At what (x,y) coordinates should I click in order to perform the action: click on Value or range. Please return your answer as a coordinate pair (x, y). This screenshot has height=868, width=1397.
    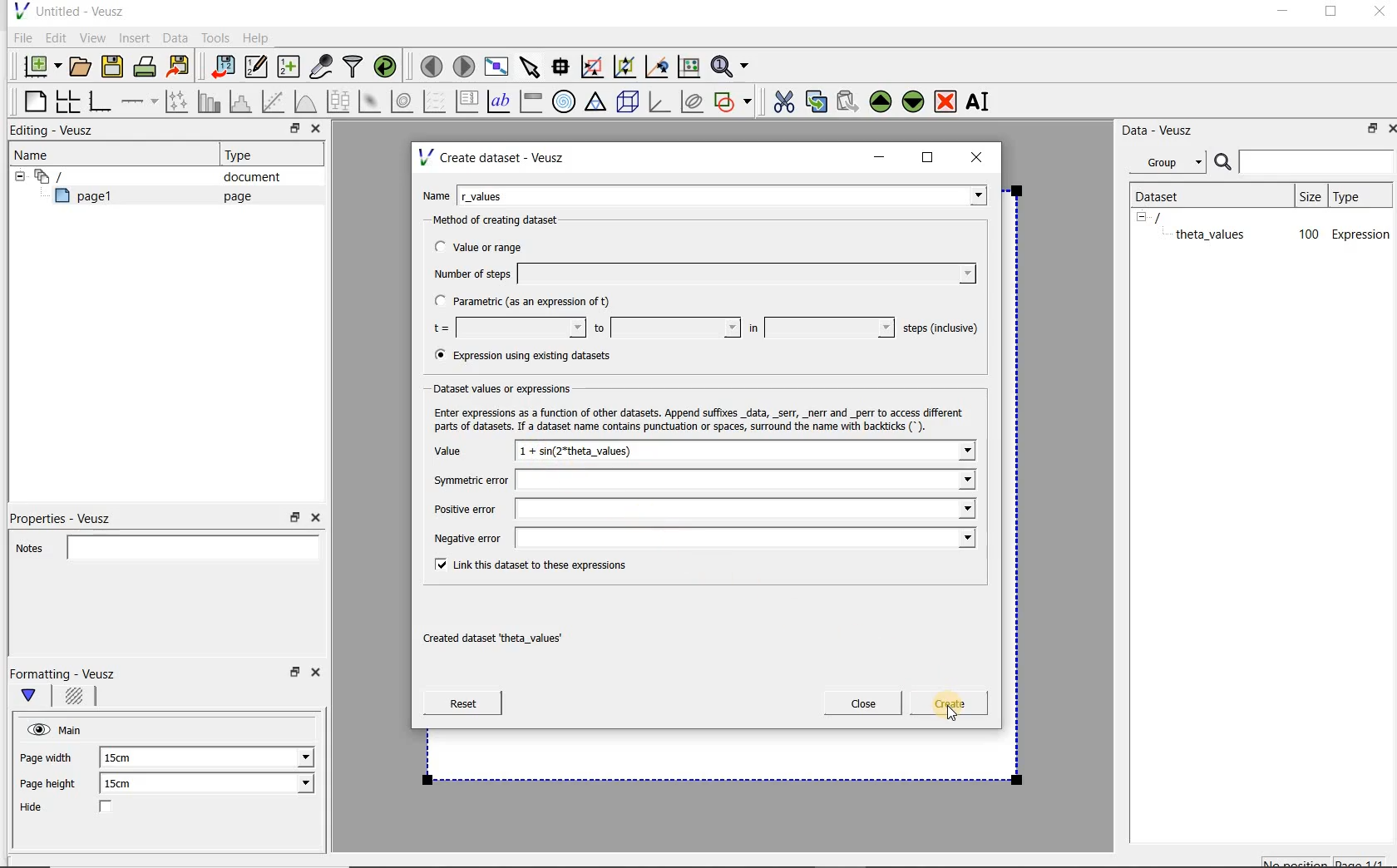
    Looking at the image, I should click on (493, 244).